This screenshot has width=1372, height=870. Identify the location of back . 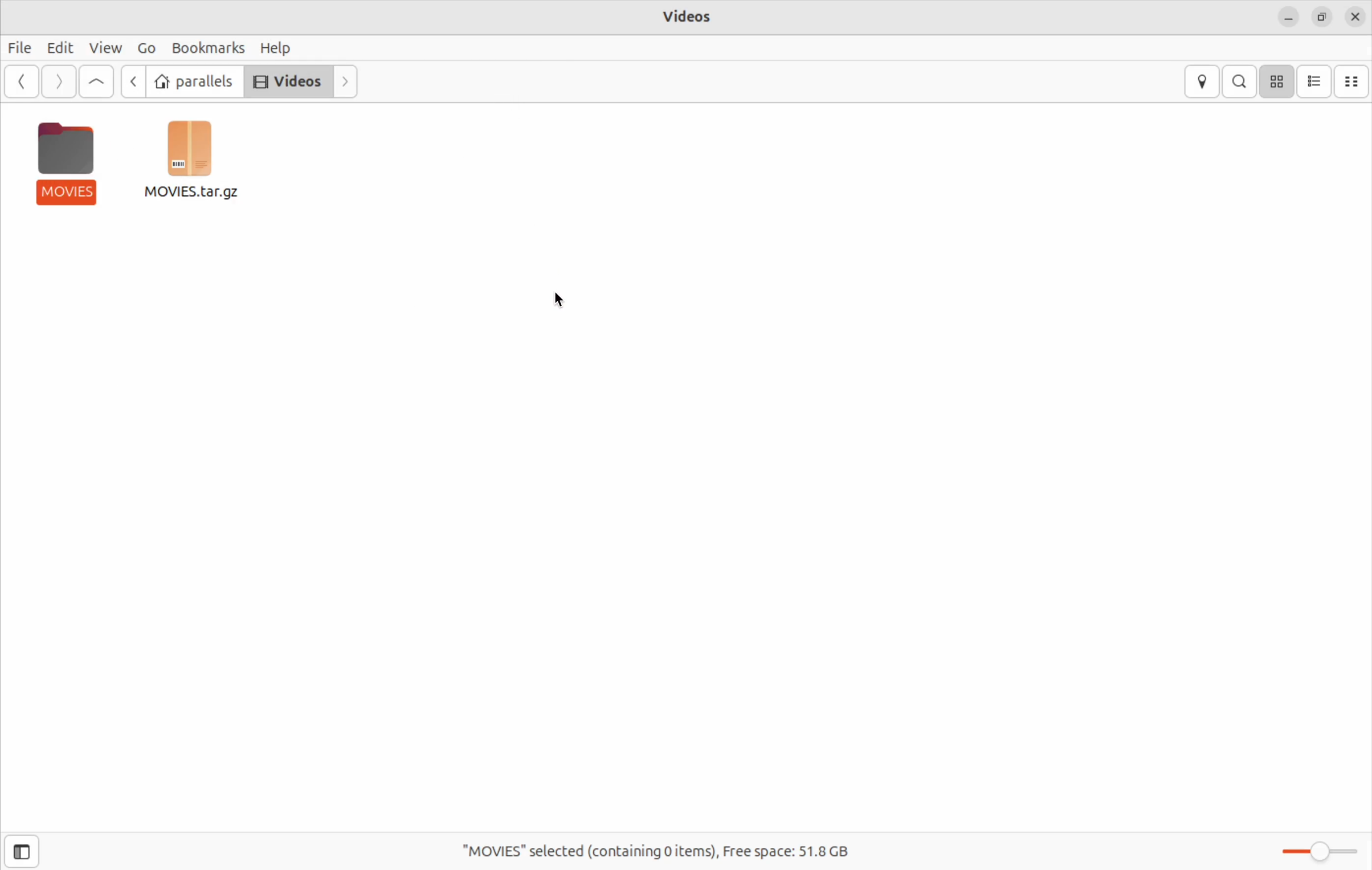
(23, 81).